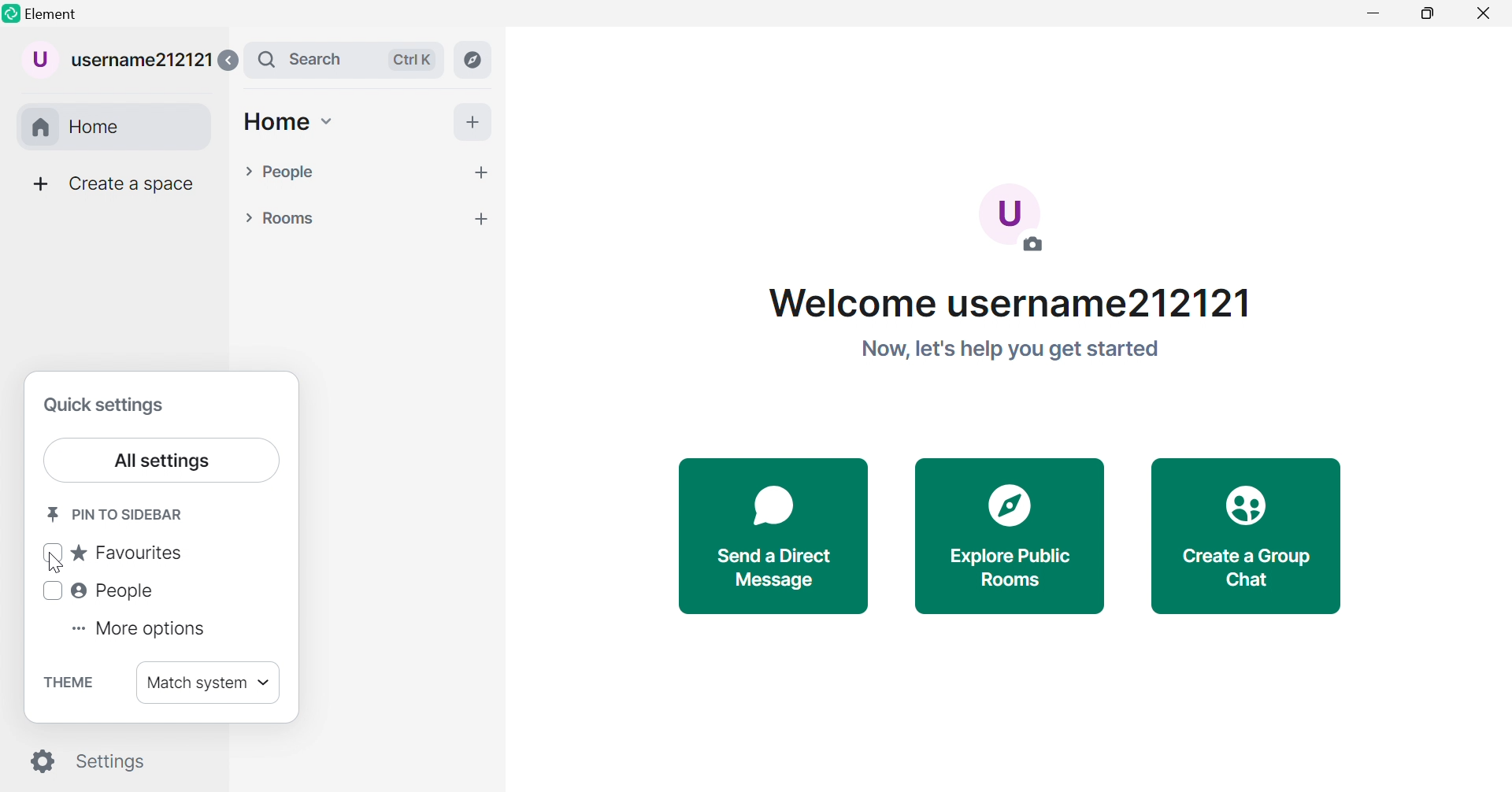 This screenshot has height=792, width=1512. Describe the element at coordinates (1426, 16) in the screenshot. I see `Restore down` at that location.